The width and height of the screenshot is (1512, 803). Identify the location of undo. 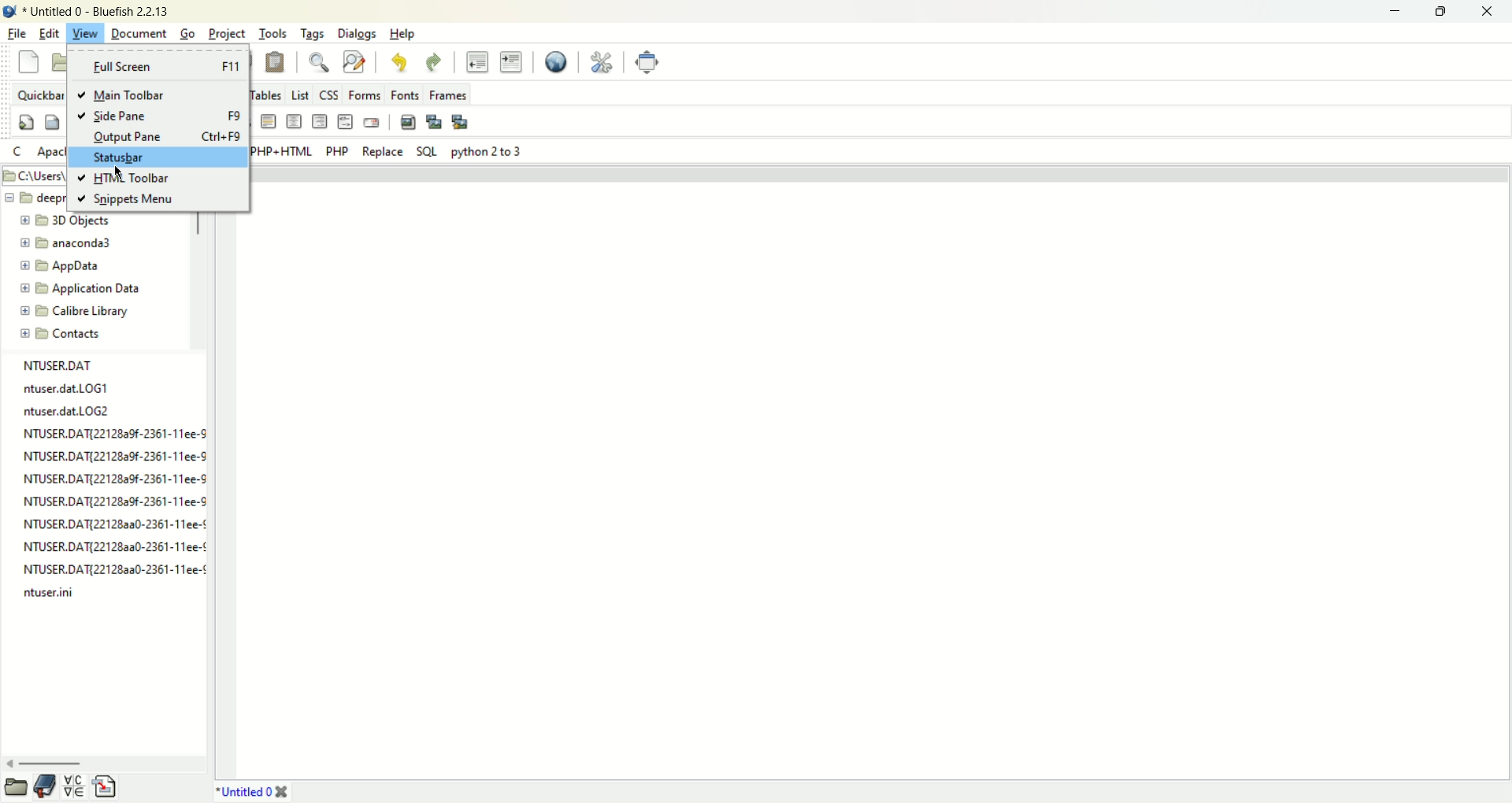
(401, 64).